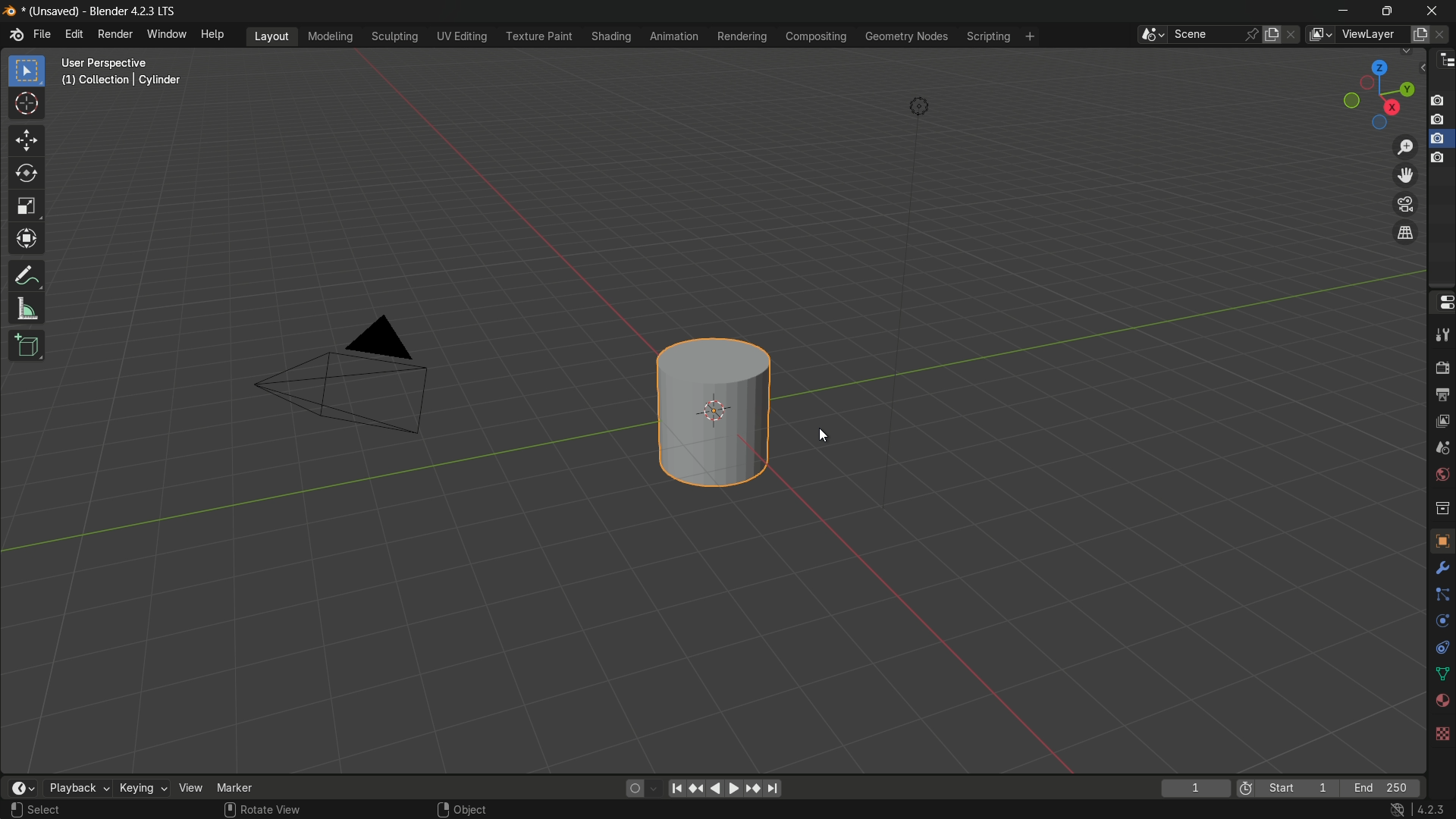 Image resolution: width=1456 pixels, height=819 pixels. Describe the element at coordinates (741, 36) in the screenshot. I see `rendering` at that location.